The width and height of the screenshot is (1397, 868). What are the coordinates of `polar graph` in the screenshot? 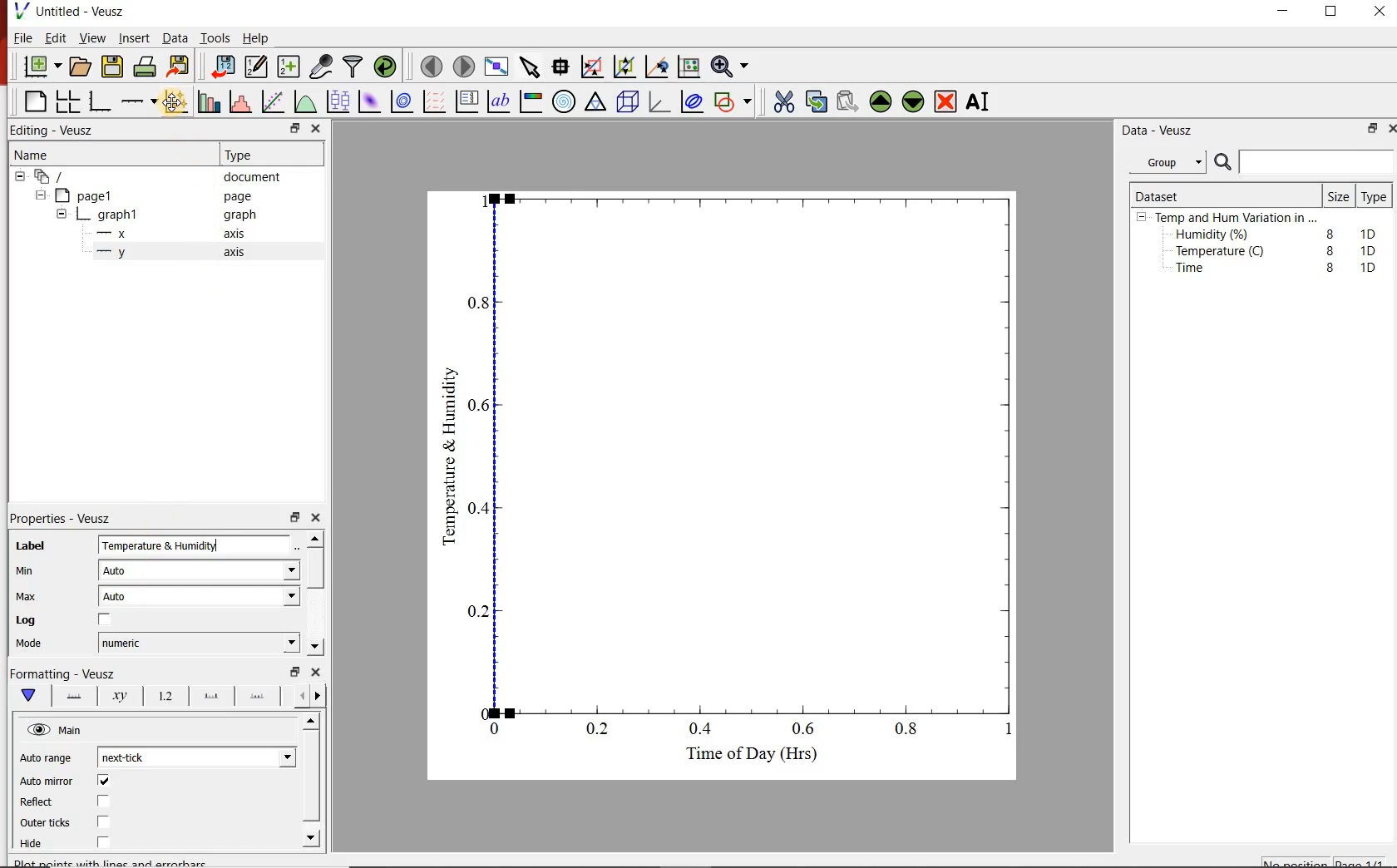 It's located at (565, 103).